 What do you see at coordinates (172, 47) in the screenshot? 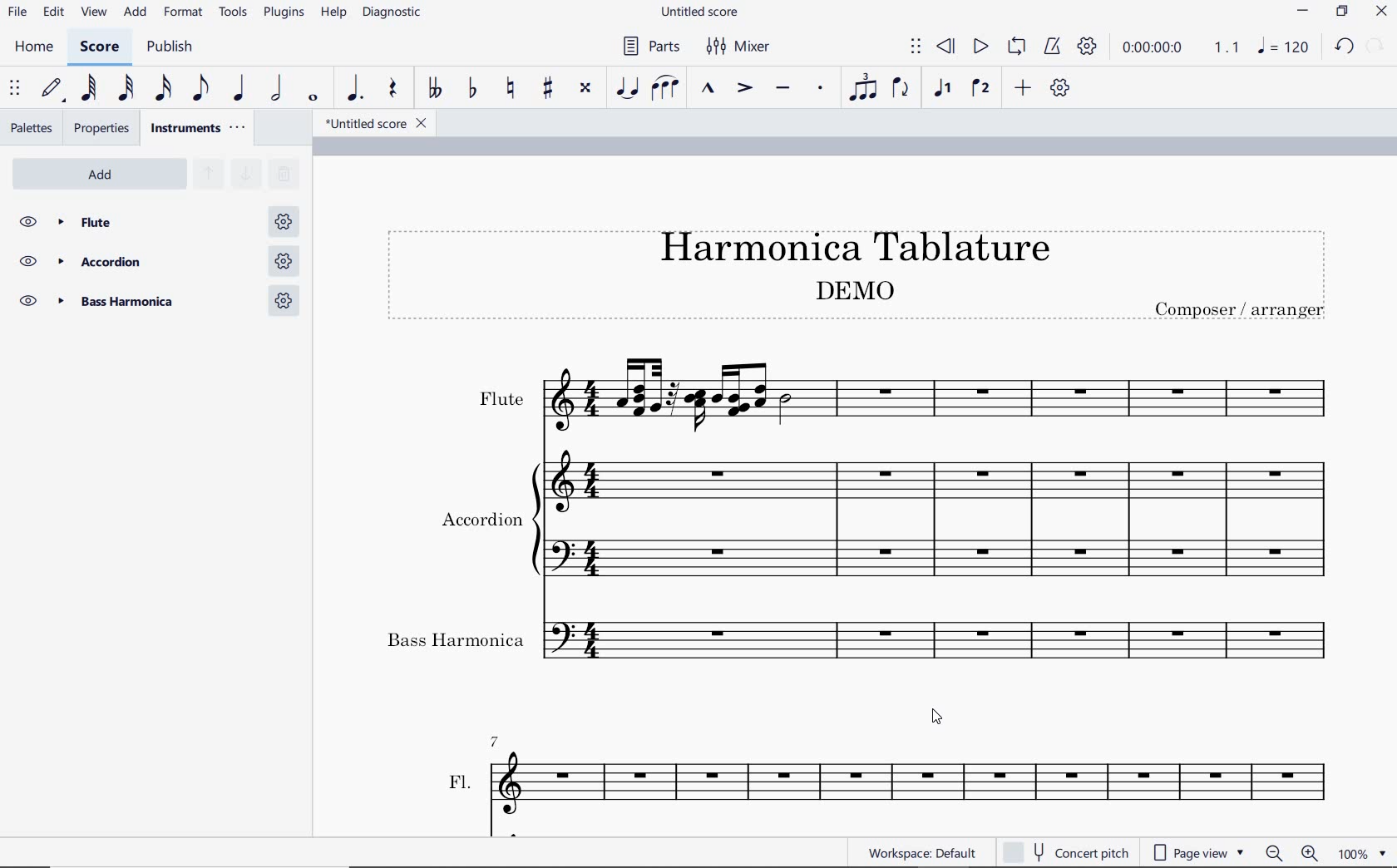
I see `PUBLISH` at bounding box center [172, 47].